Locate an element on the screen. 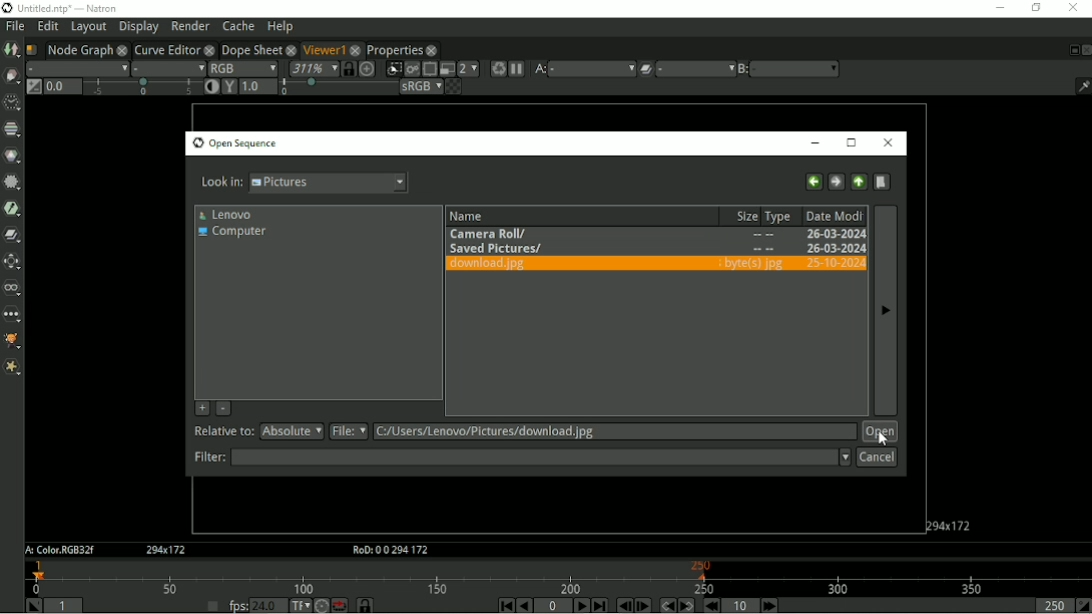 This screenshot has height=614, width=1092. Behaviour is located at coordinates (339, 605).